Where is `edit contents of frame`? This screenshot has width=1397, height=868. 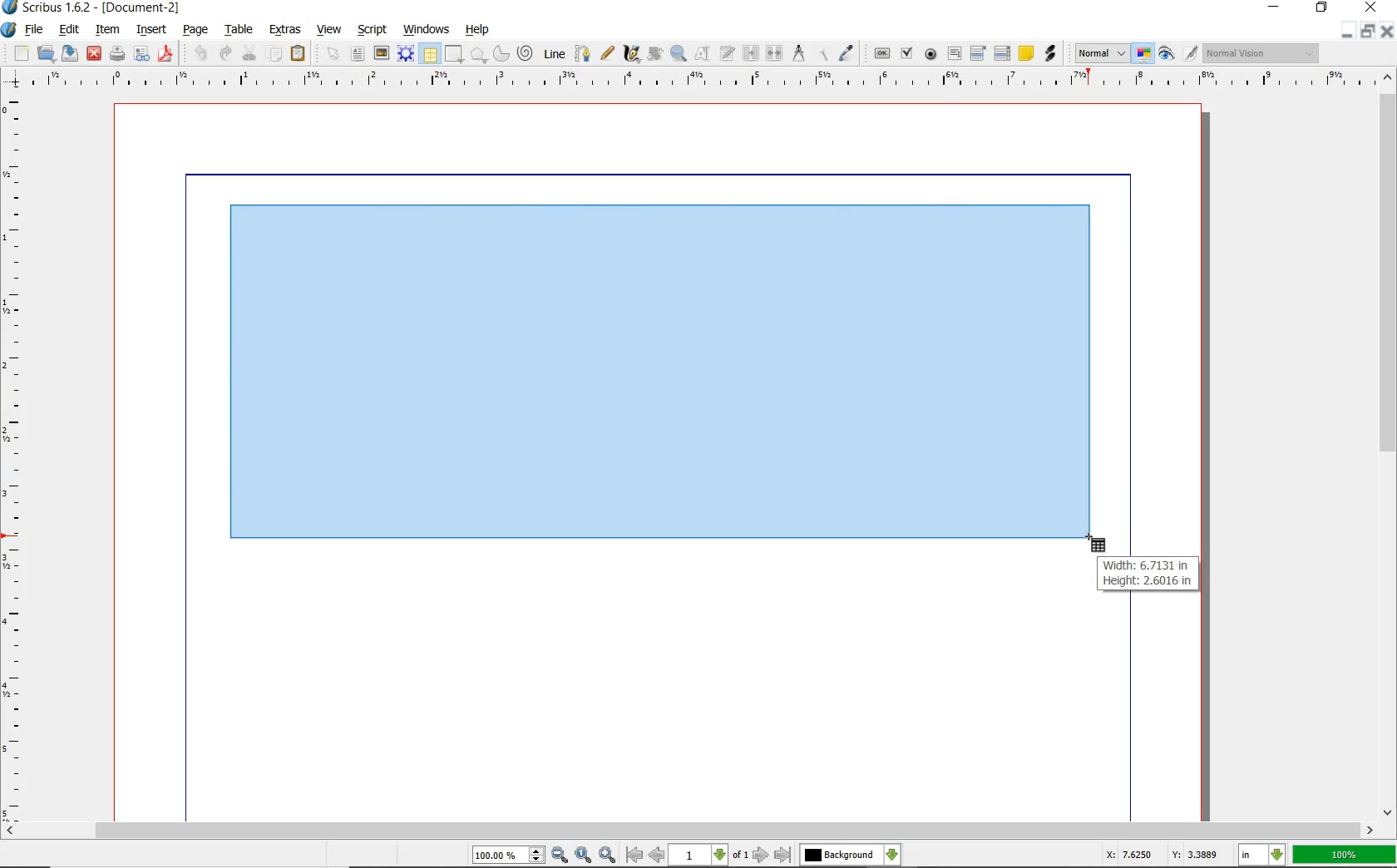 edit contents of frame is located at coordinates (699, 55).